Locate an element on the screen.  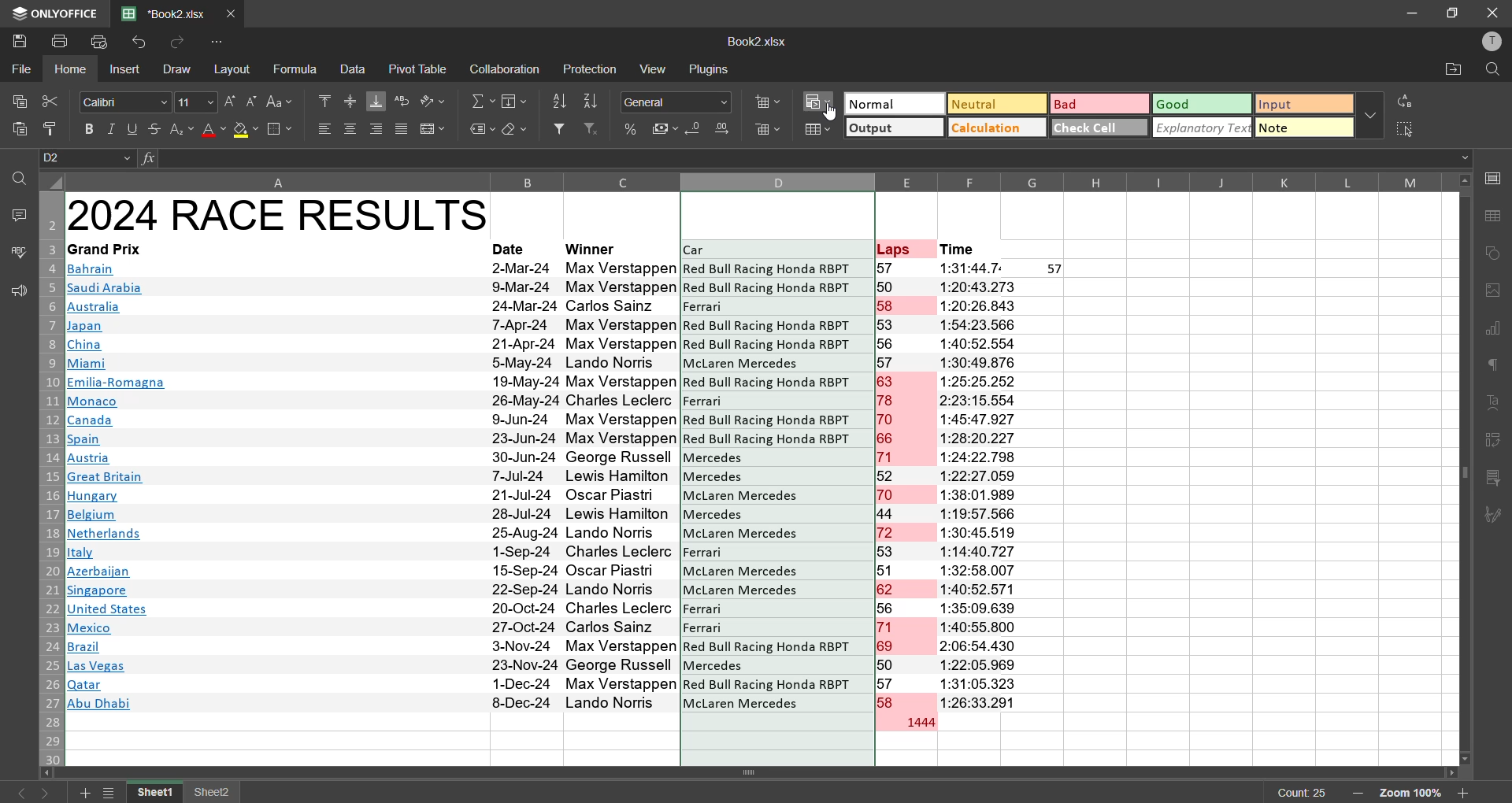
sort descending is located at coordinates (592, 102).